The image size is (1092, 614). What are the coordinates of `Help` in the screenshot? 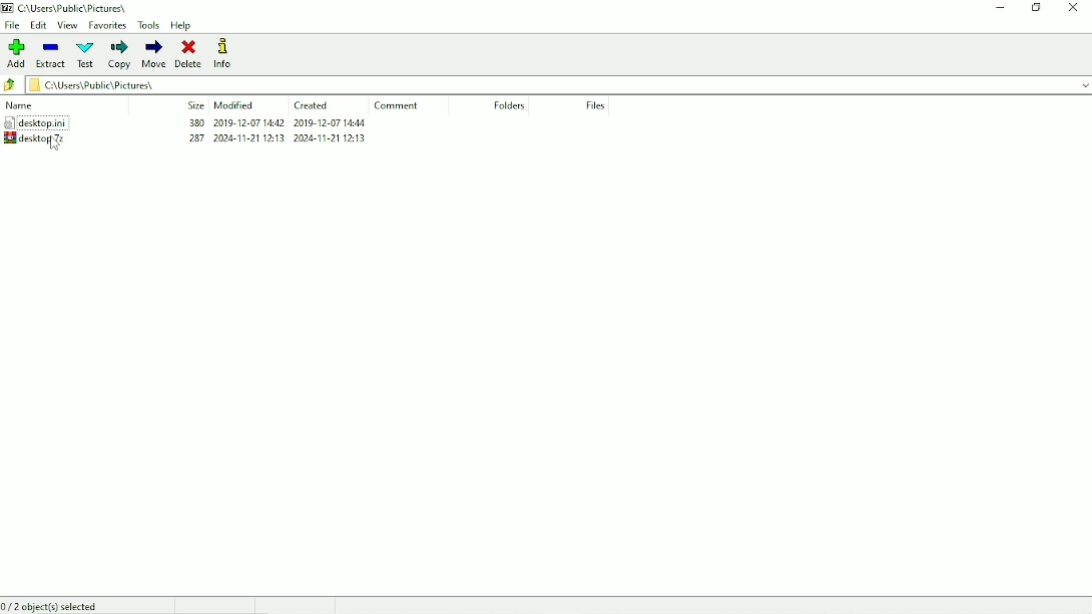 It's located at (181, 26).